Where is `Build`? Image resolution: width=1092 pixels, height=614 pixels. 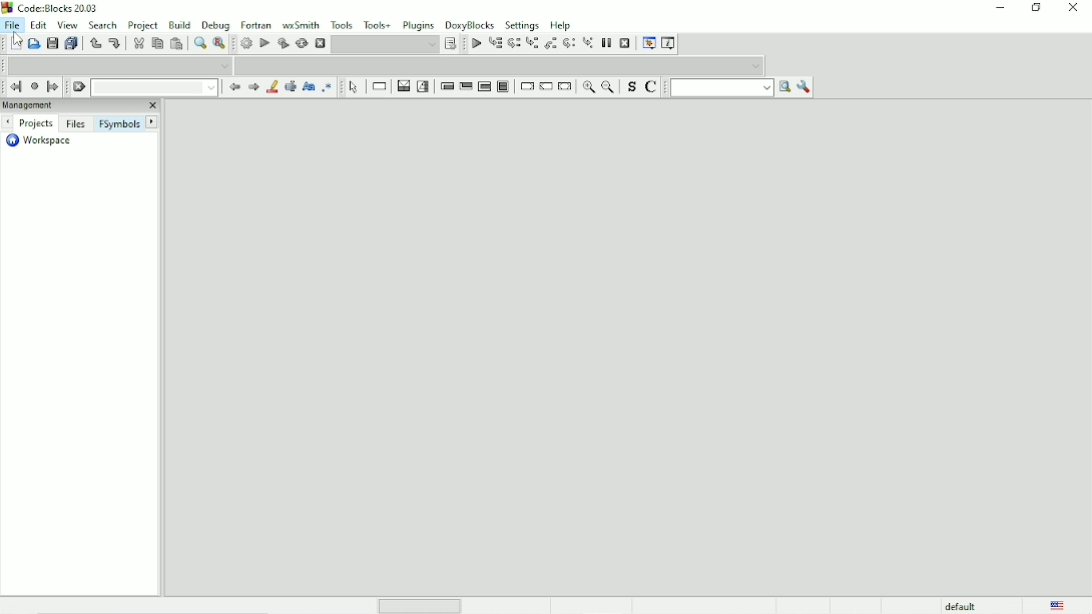 Build is located at coordinates (246, 42).